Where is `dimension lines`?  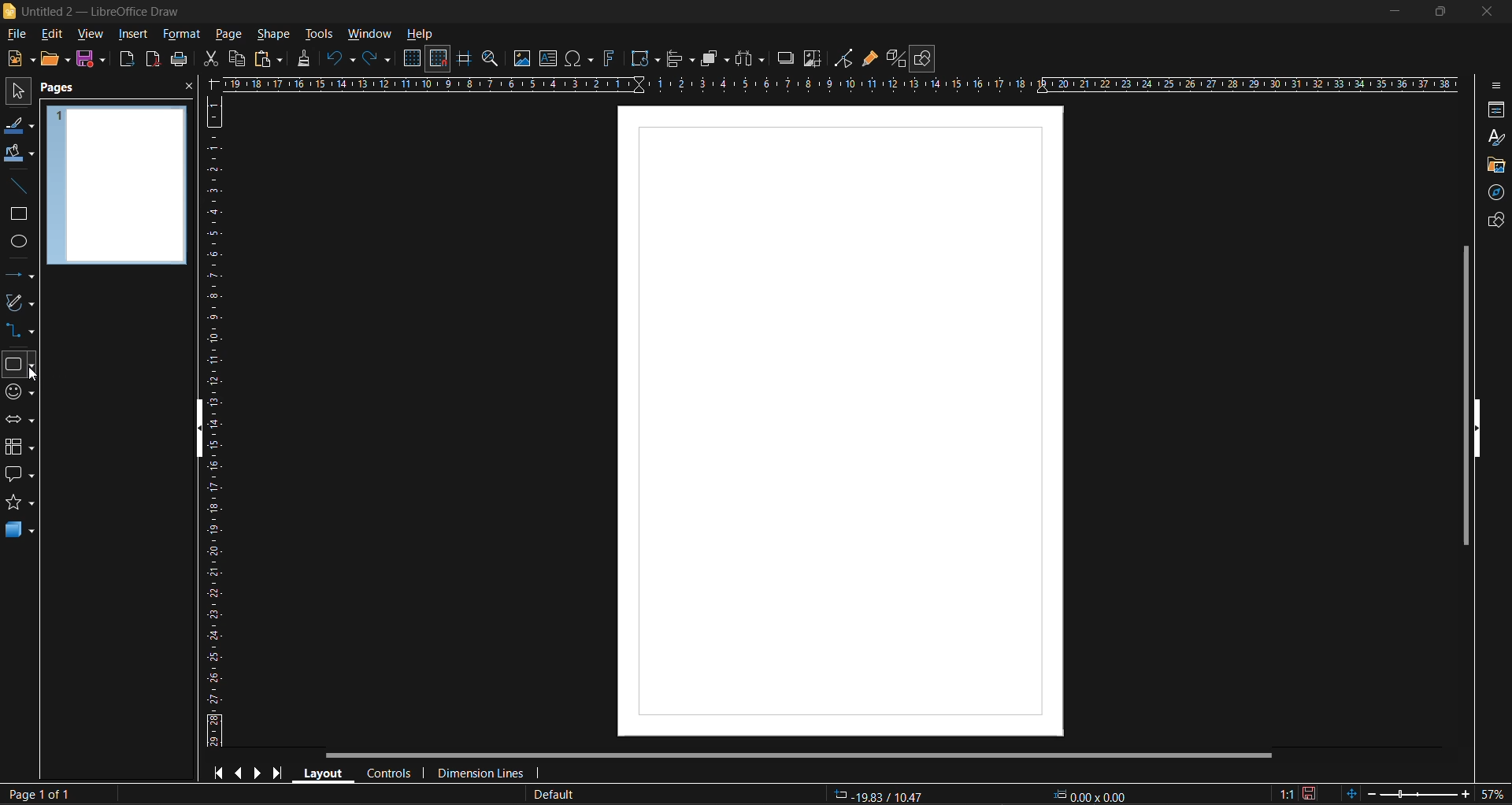
dimension lines is located at coordinates (480, 774).